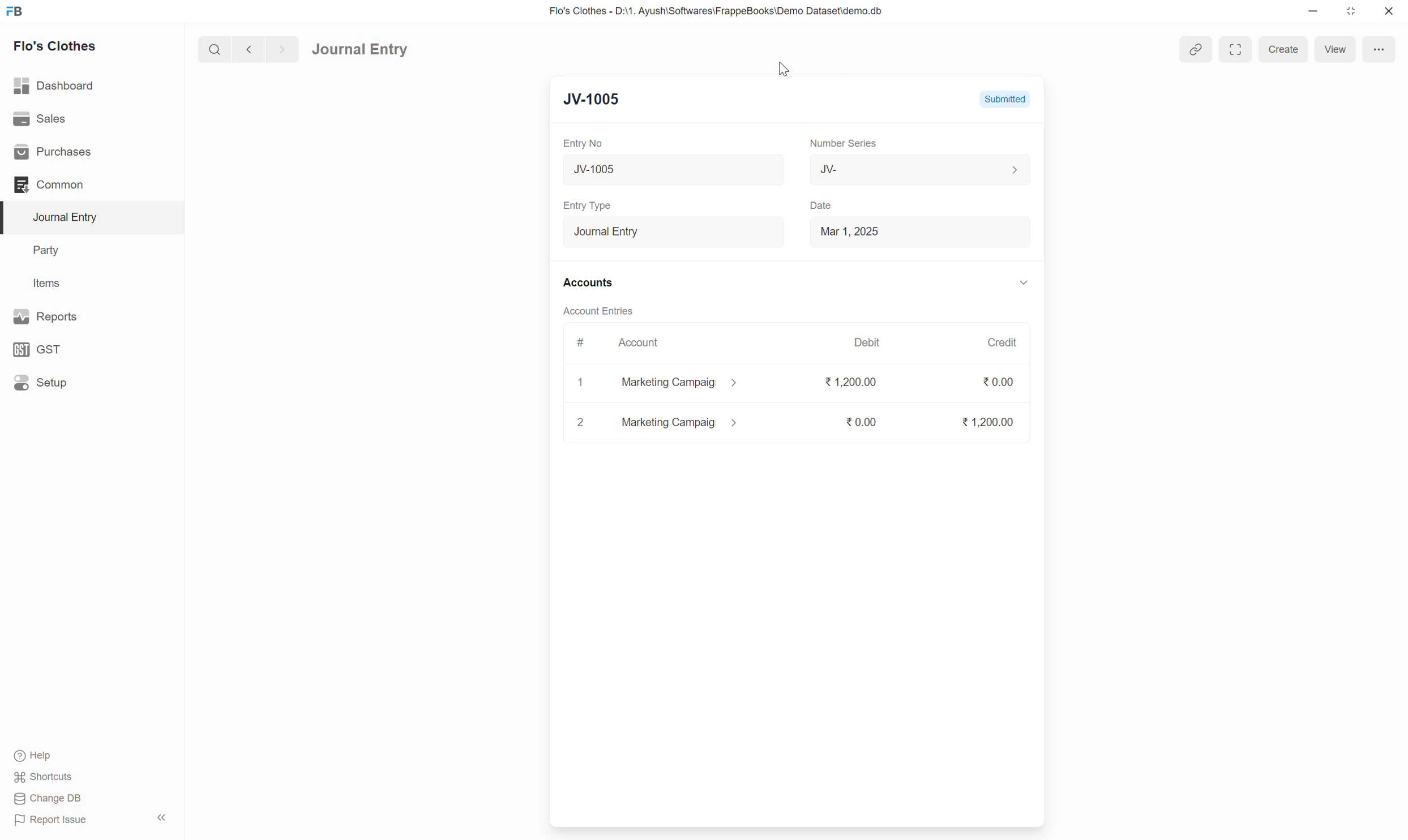 The height and width of the screenshot is (840, 1408). What do you see at coordinates (681, 422) in the screenshot?
I see `marketing campaig` at bounding box center [681, 422].